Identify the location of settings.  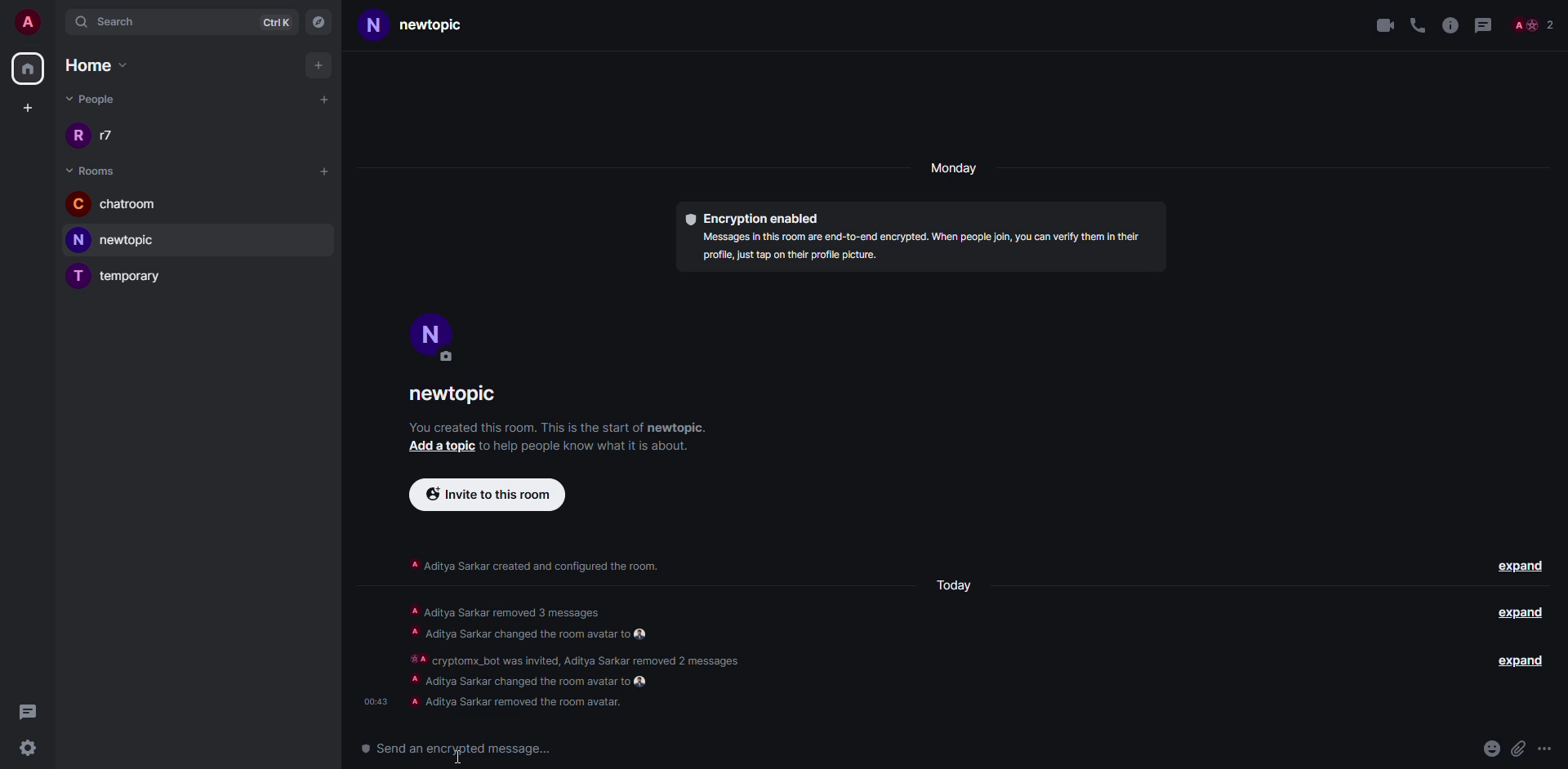
(27, 749).